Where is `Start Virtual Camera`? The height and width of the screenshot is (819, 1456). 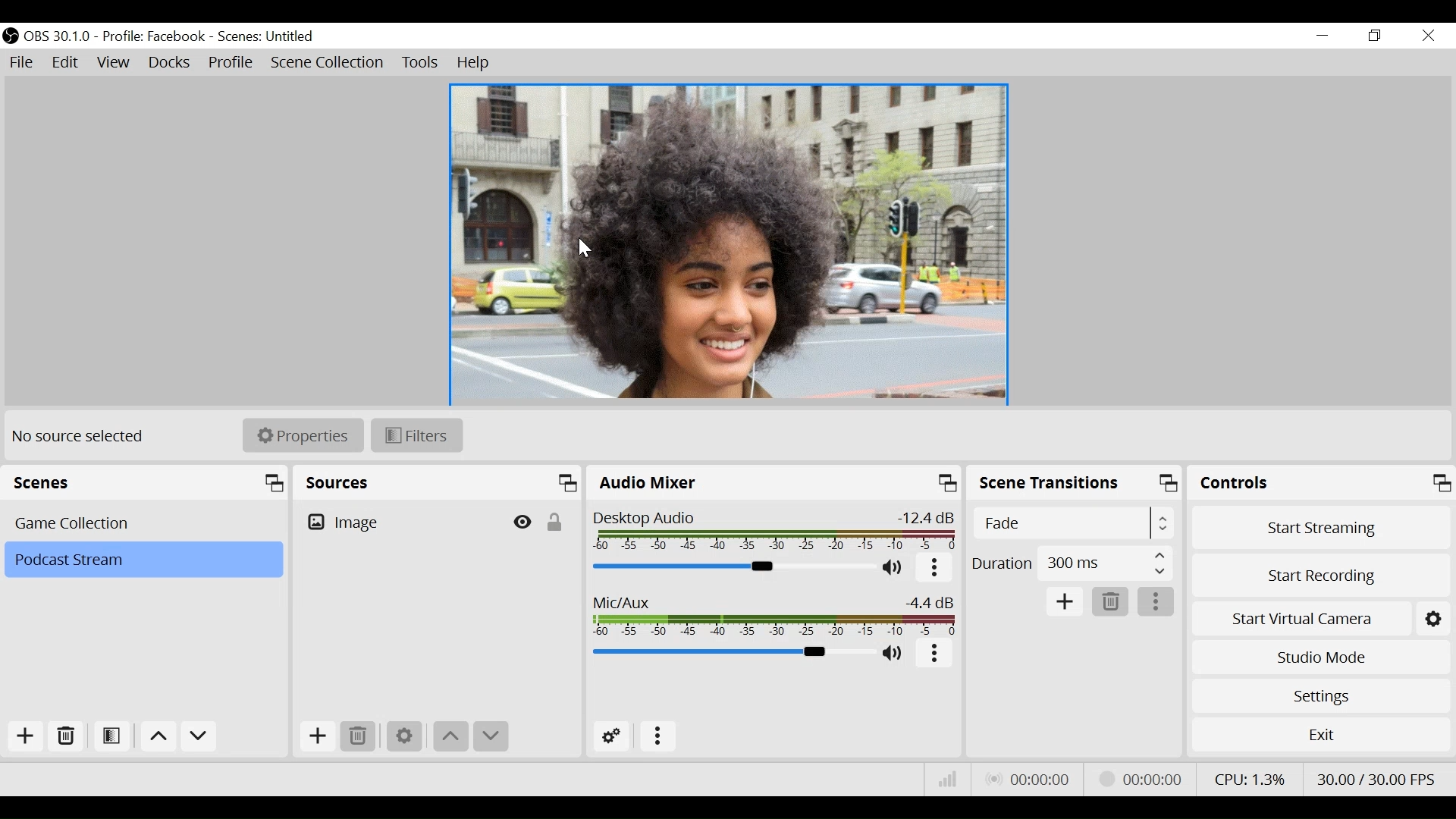
Start Virtual Camera is located at coordinates (1323, 617).